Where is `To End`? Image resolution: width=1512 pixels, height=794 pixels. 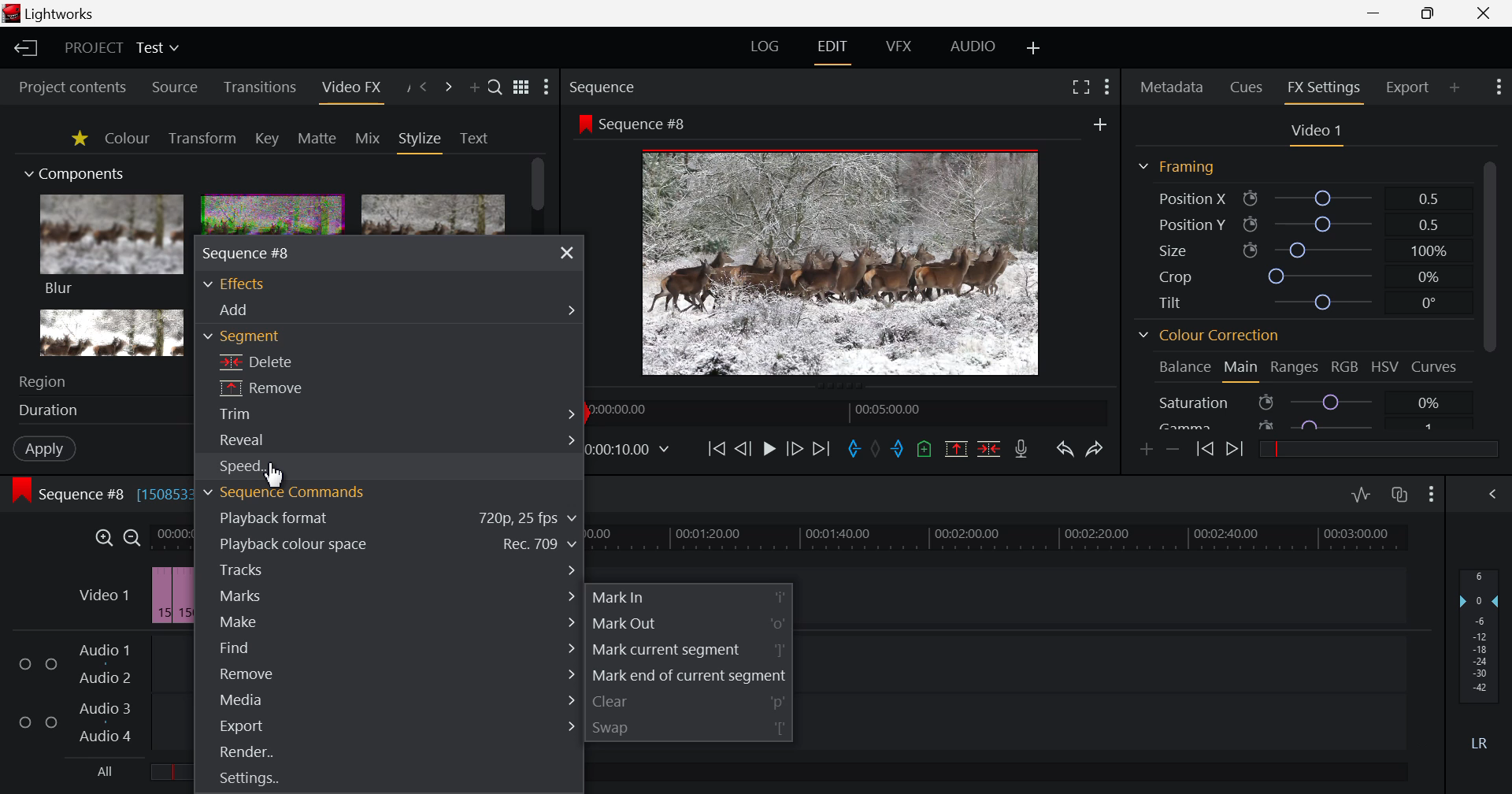 To End is located at coordinates (821, 450).